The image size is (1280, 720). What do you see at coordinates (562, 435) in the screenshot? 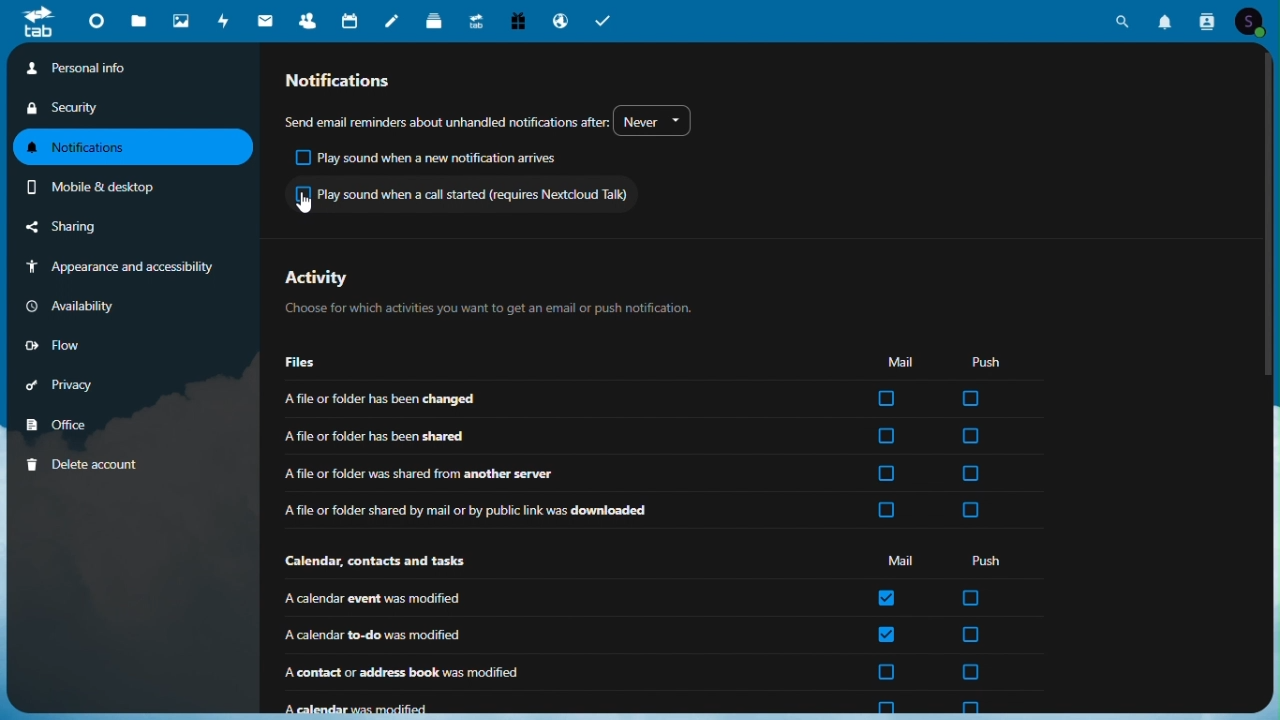
I see `a file or folder Has been shared` at bounding box center [562, 435].